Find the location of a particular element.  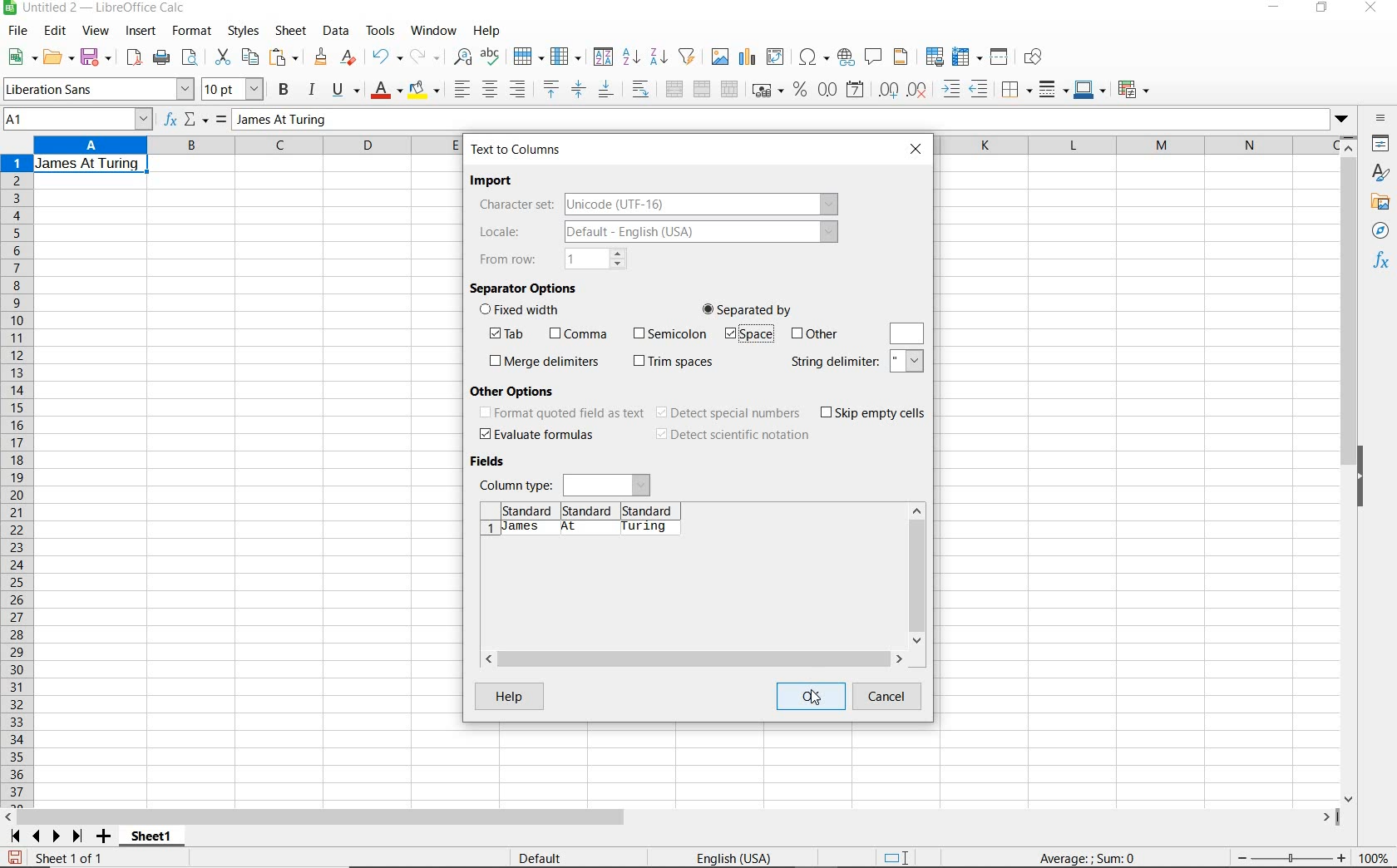

format is located at coordinates (193, 33).